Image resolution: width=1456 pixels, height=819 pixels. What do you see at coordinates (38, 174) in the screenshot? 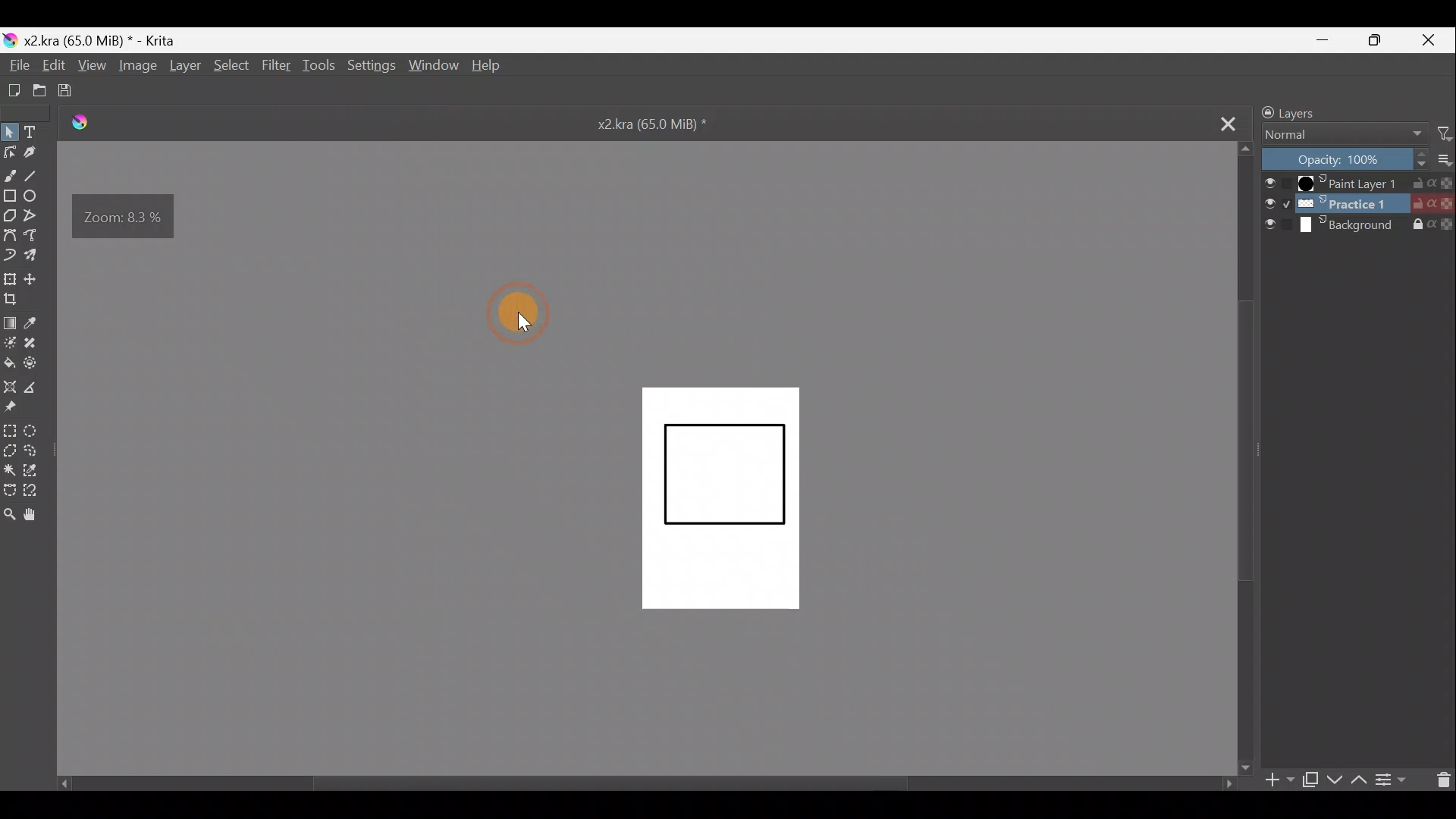
I see `Line tool` at bounding box center [38, 174].